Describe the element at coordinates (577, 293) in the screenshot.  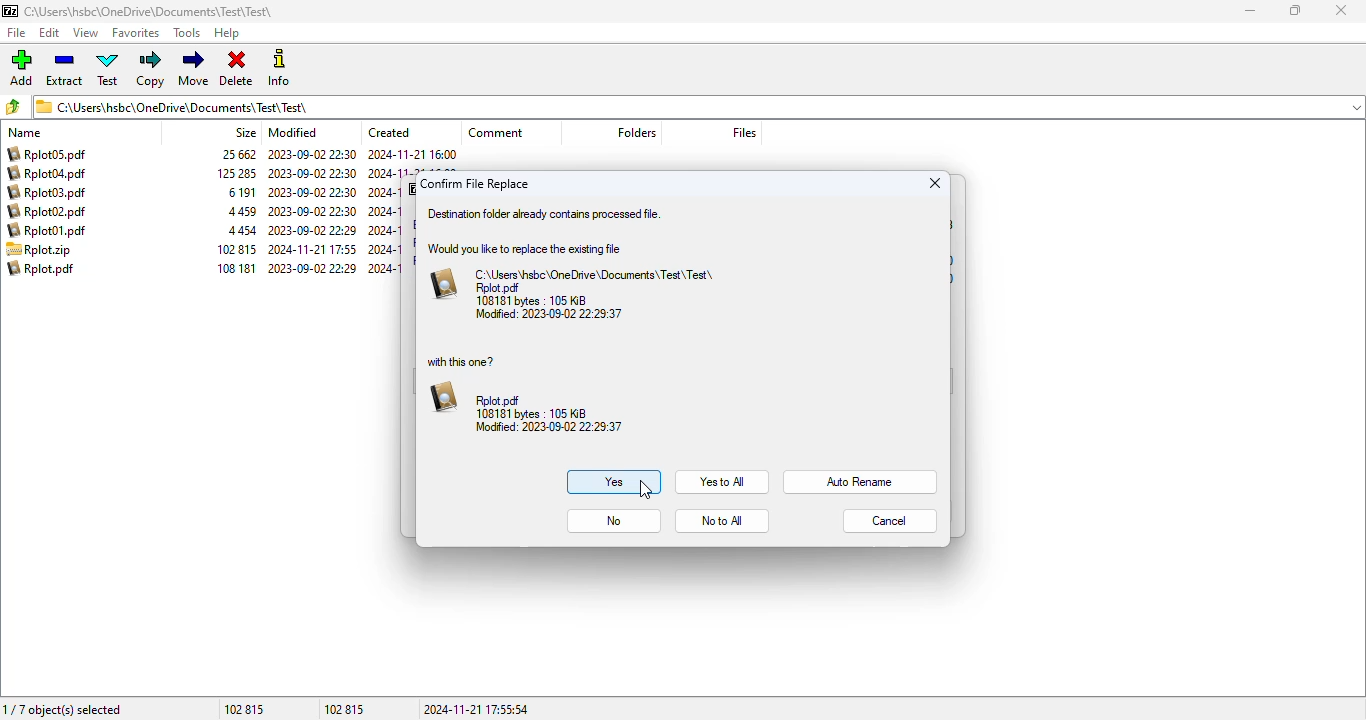
I see `C:\Users\hsbc'\OneDrive\Documents\ Test \Test\
Fplot pdf

108181 bytes 105 KB.

‘Modified: 2023-0902 22-29-37` at that location.